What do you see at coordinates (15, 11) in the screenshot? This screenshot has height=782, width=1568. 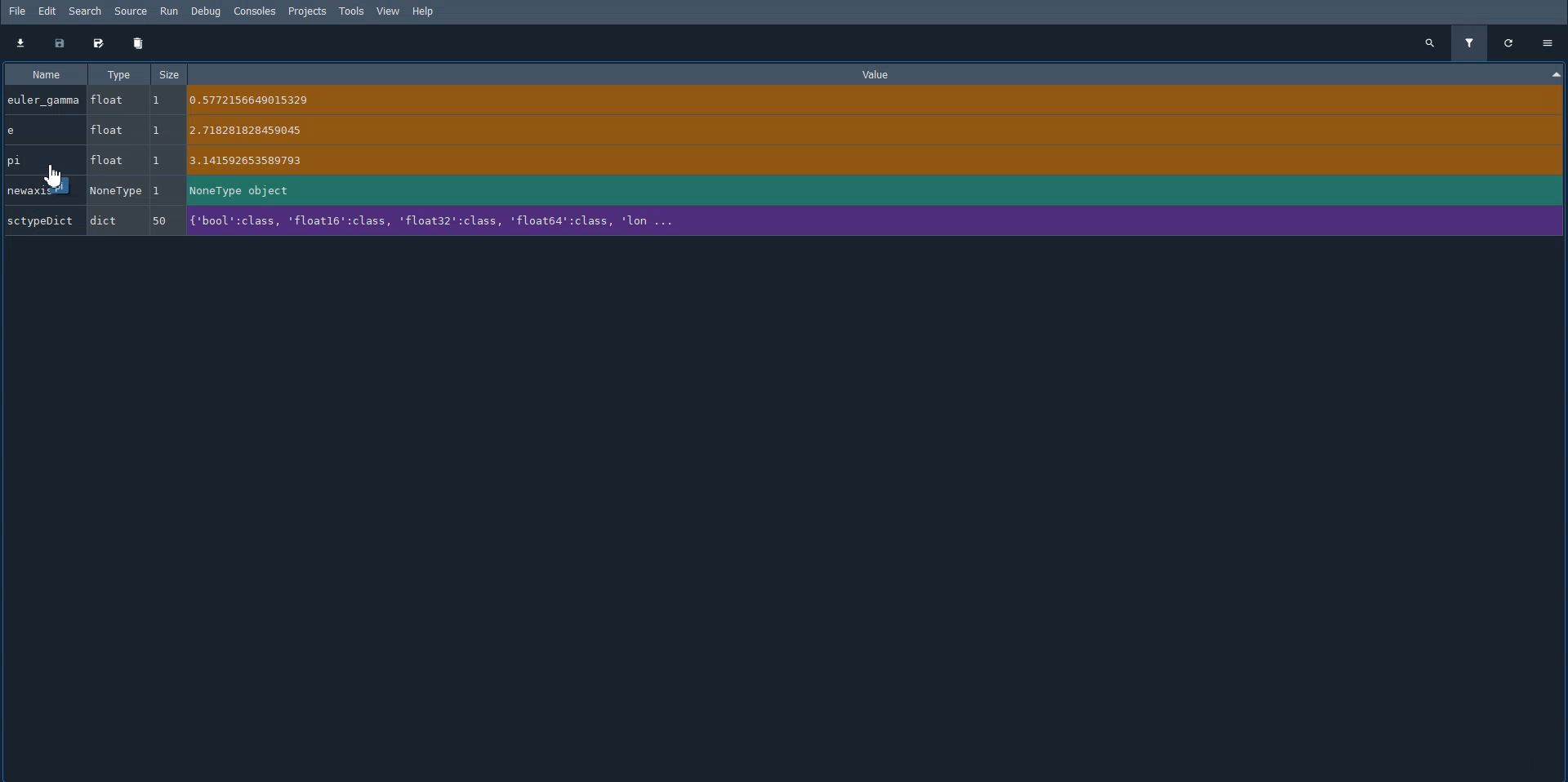 I see `File` at bounding box center [15, 11].